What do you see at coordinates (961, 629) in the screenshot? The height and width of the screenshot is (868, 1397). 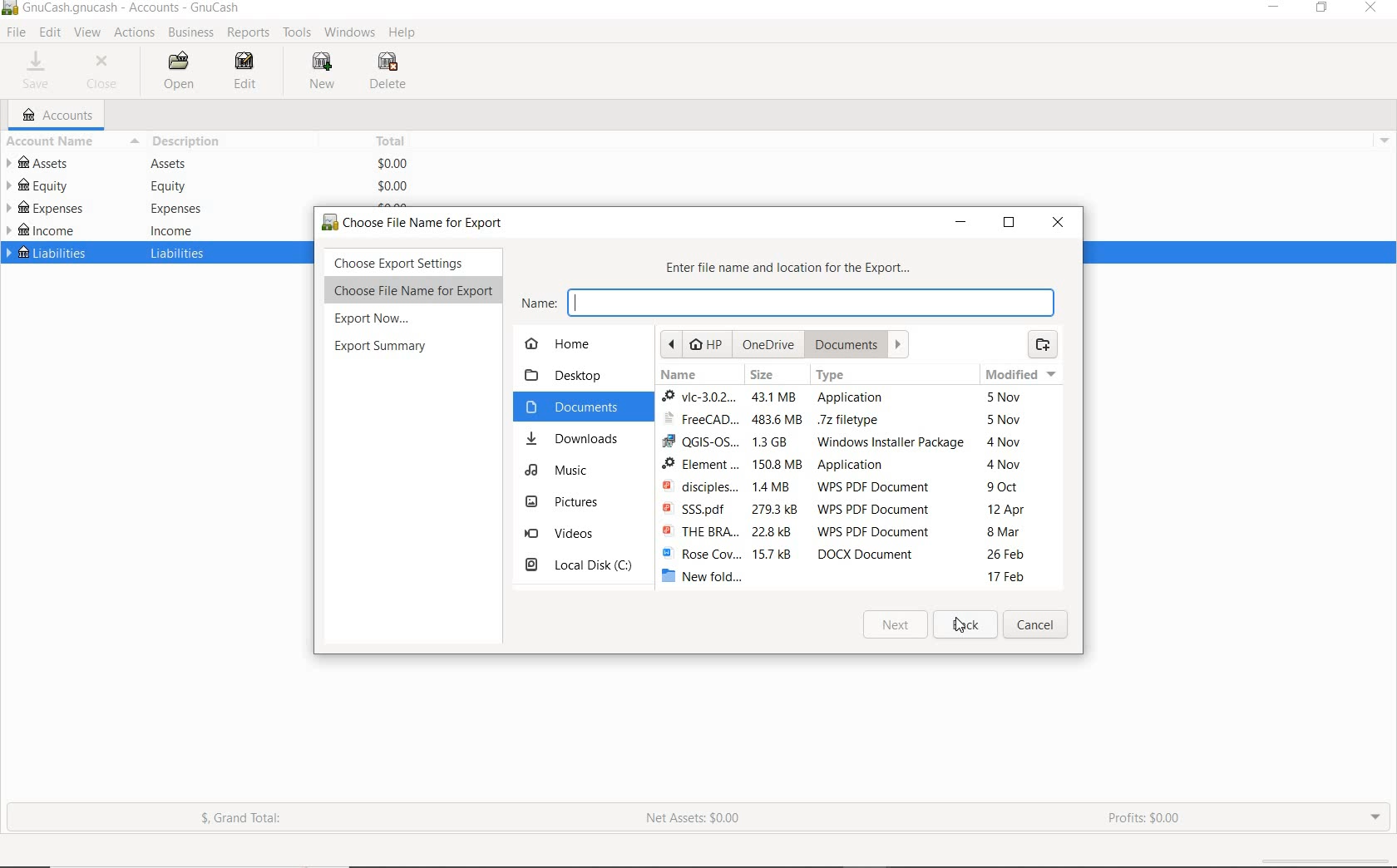 I see `cursor` at bounding box center [961, 629].